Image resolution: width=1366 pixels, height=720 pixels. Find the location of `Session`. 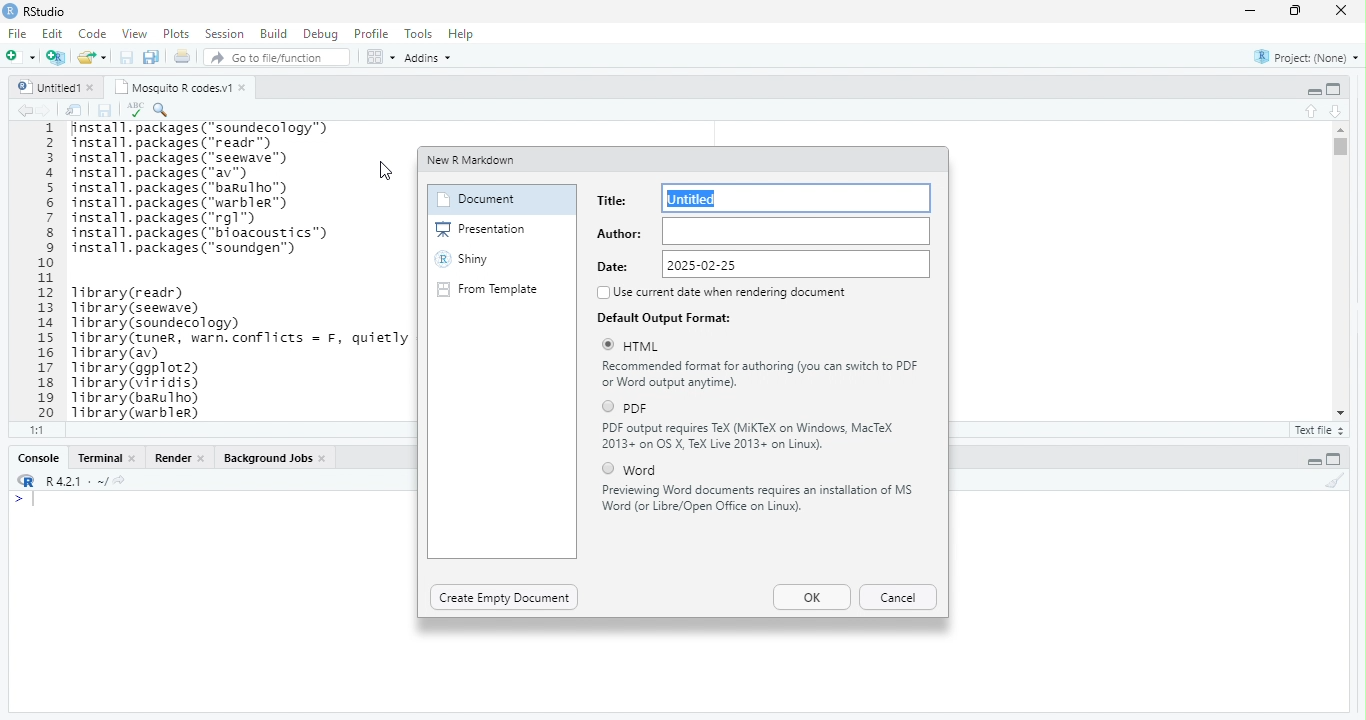

Session is located at coordinates (227, 34).